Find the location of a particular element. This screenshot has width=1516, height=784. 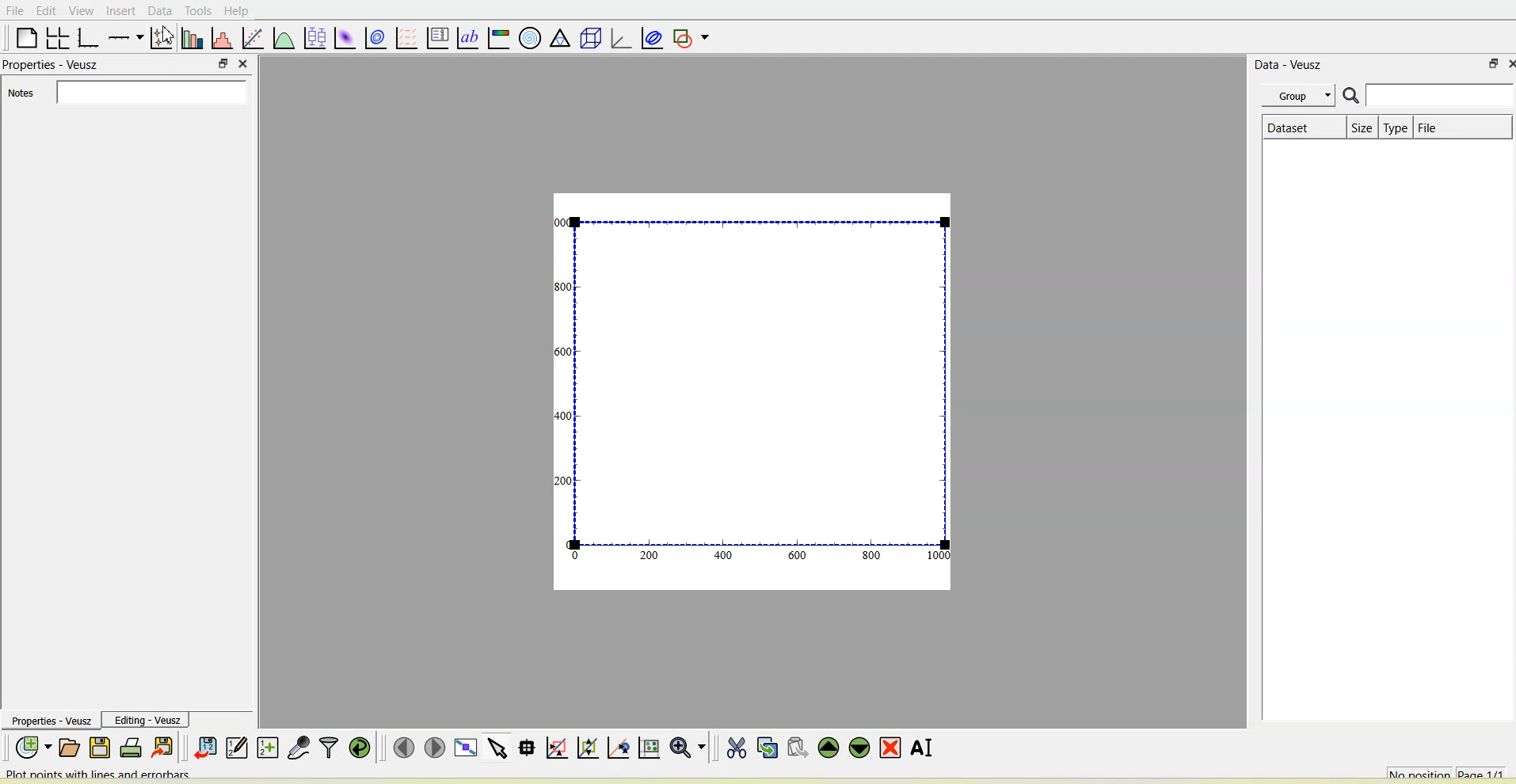

Zoom functions menu is located at coordinates (688, 748).